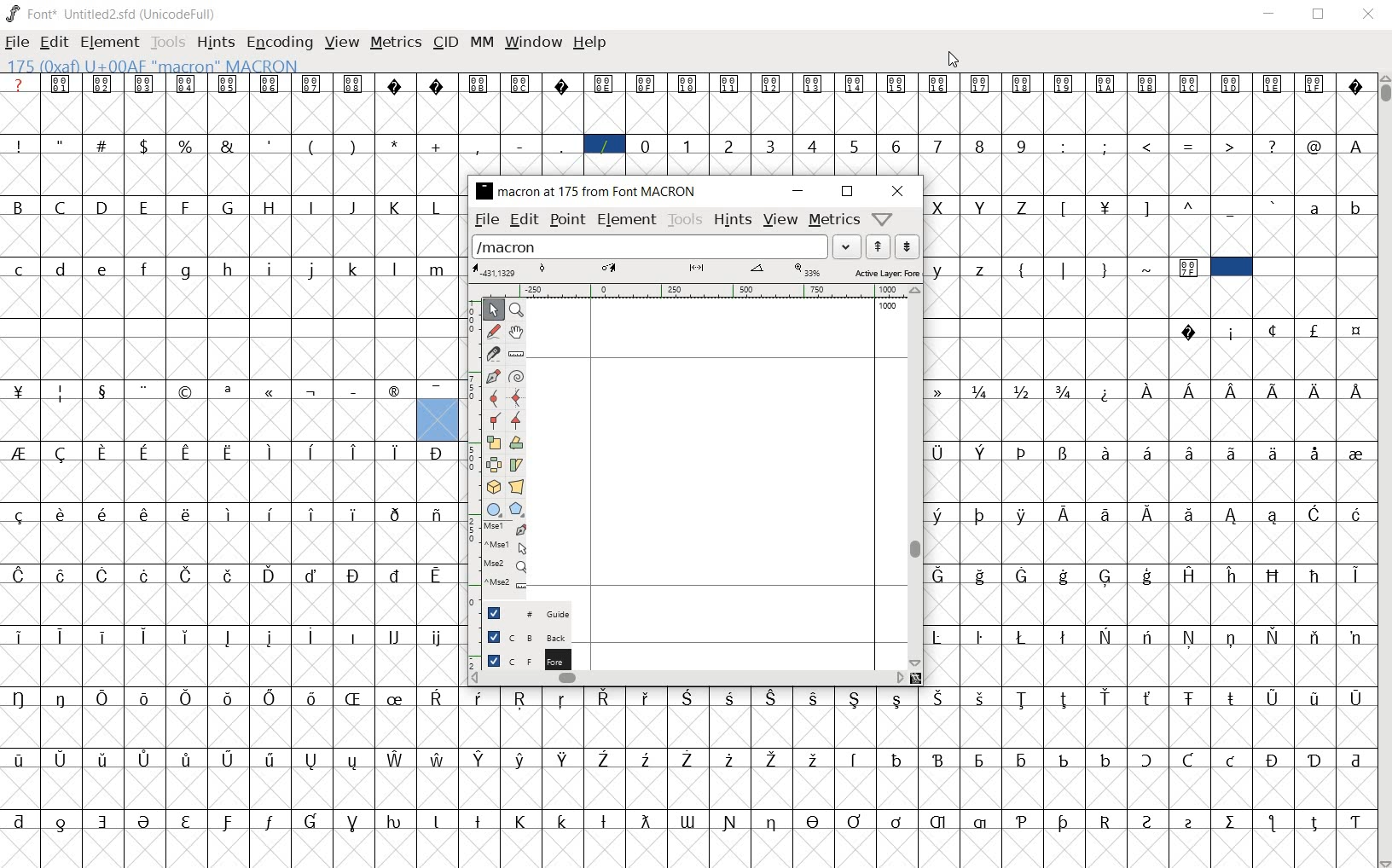 This screenshot has height=868, width=1392. Describe the element at coordinates (229, 575) in the screenshot. I see `Symbol` at that location.